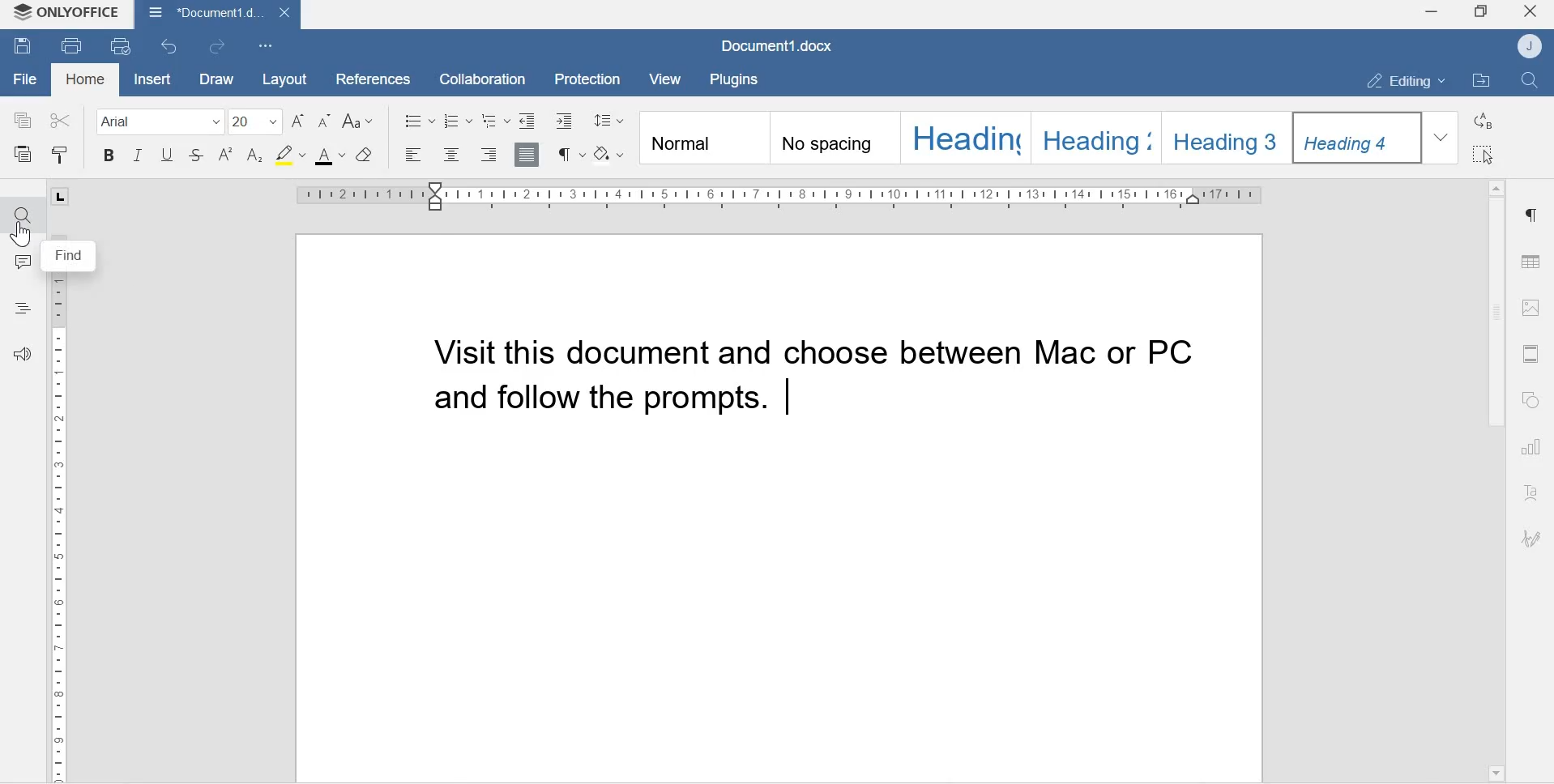 The height and width of the screenshot is (784, 1554). I want to click on Shapes, so click(1534, 401).